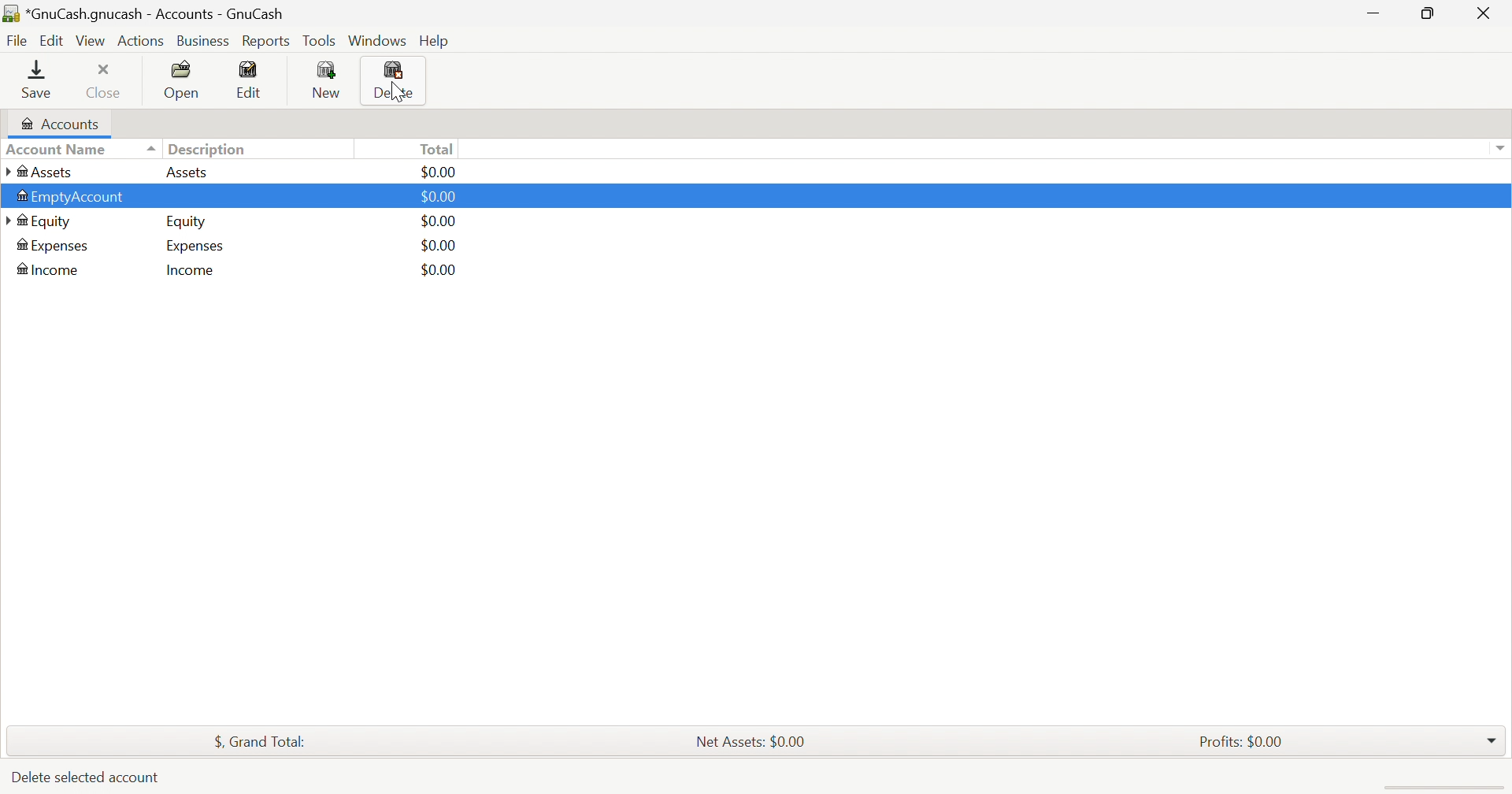 This screenshot has width=1512, height=794. What do you see at coordinates (43, 221) in the screenshot?
I see `Equity` at bounding box center [43, 221].